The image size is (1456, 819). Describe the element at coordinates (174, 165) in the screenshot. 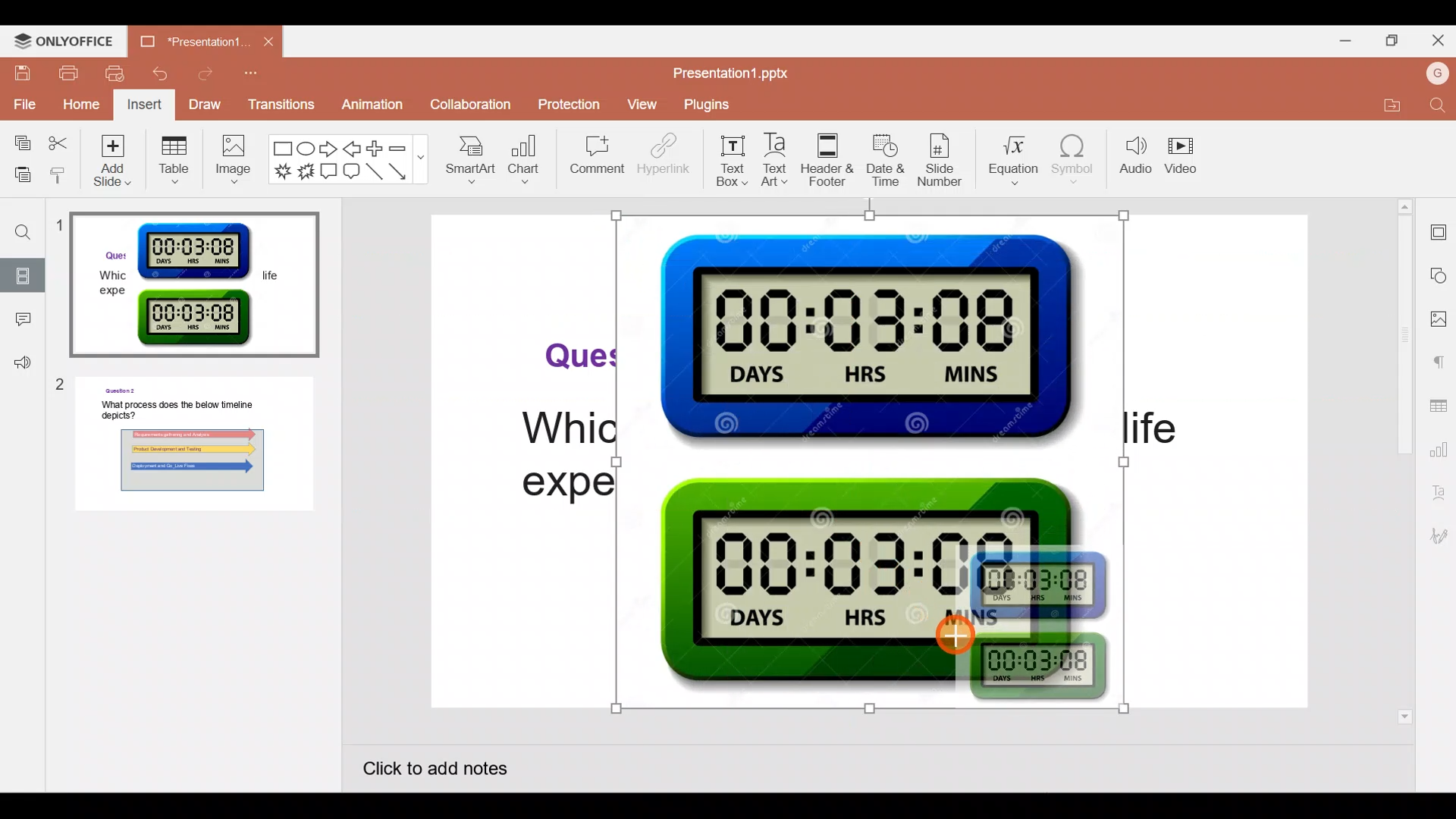

I see `Table` at that location.